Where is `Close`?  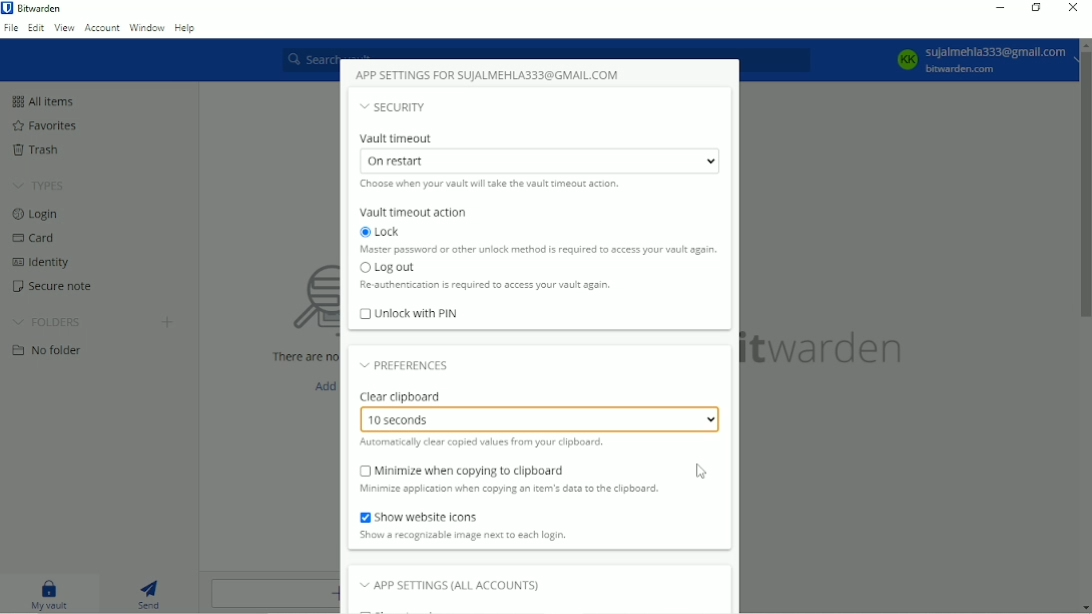 Close is located at coordinates (1074, 9).